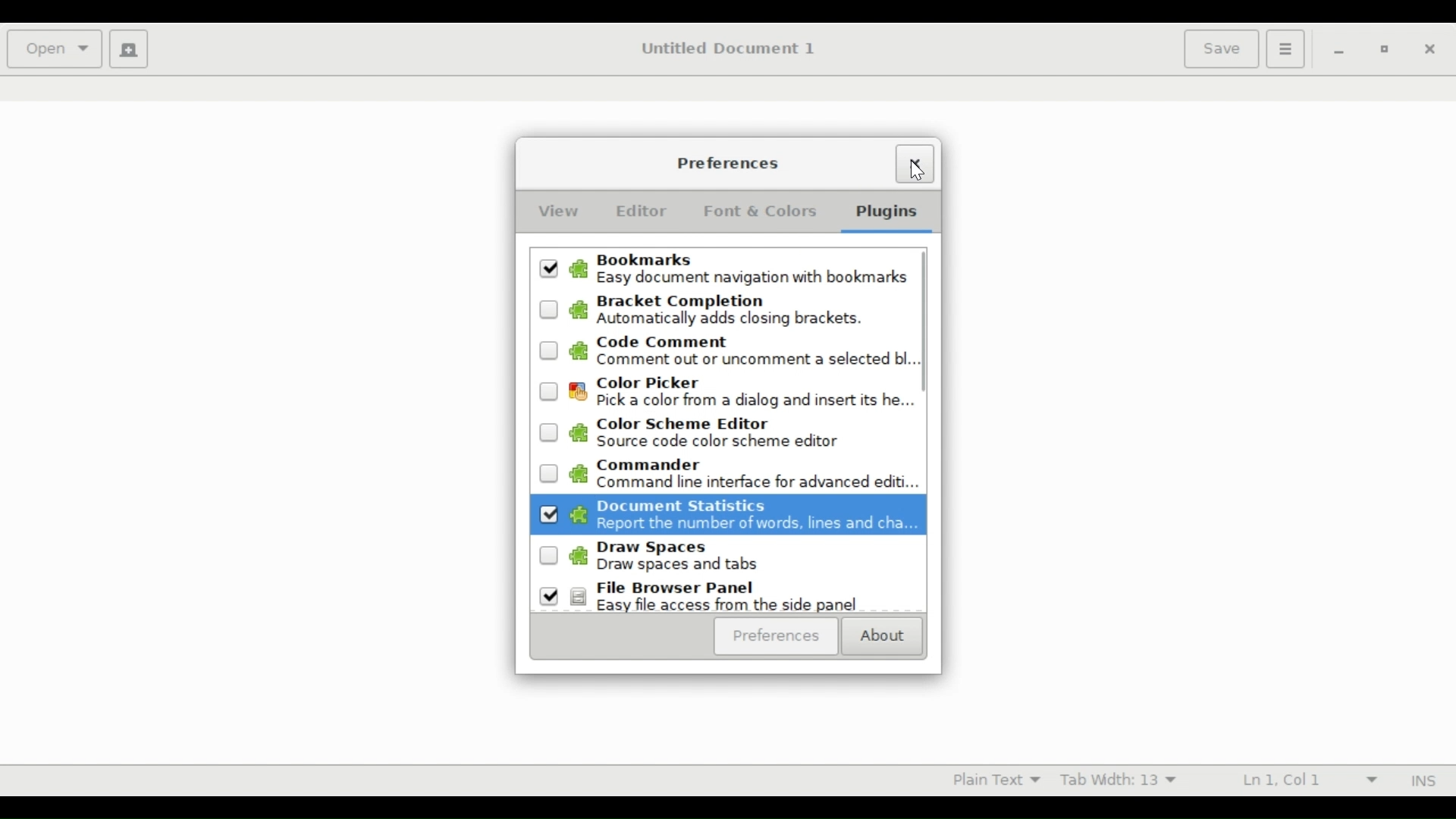 This screenshot has height=819, width=1456. I want to click on Selected, so click(550, 597).